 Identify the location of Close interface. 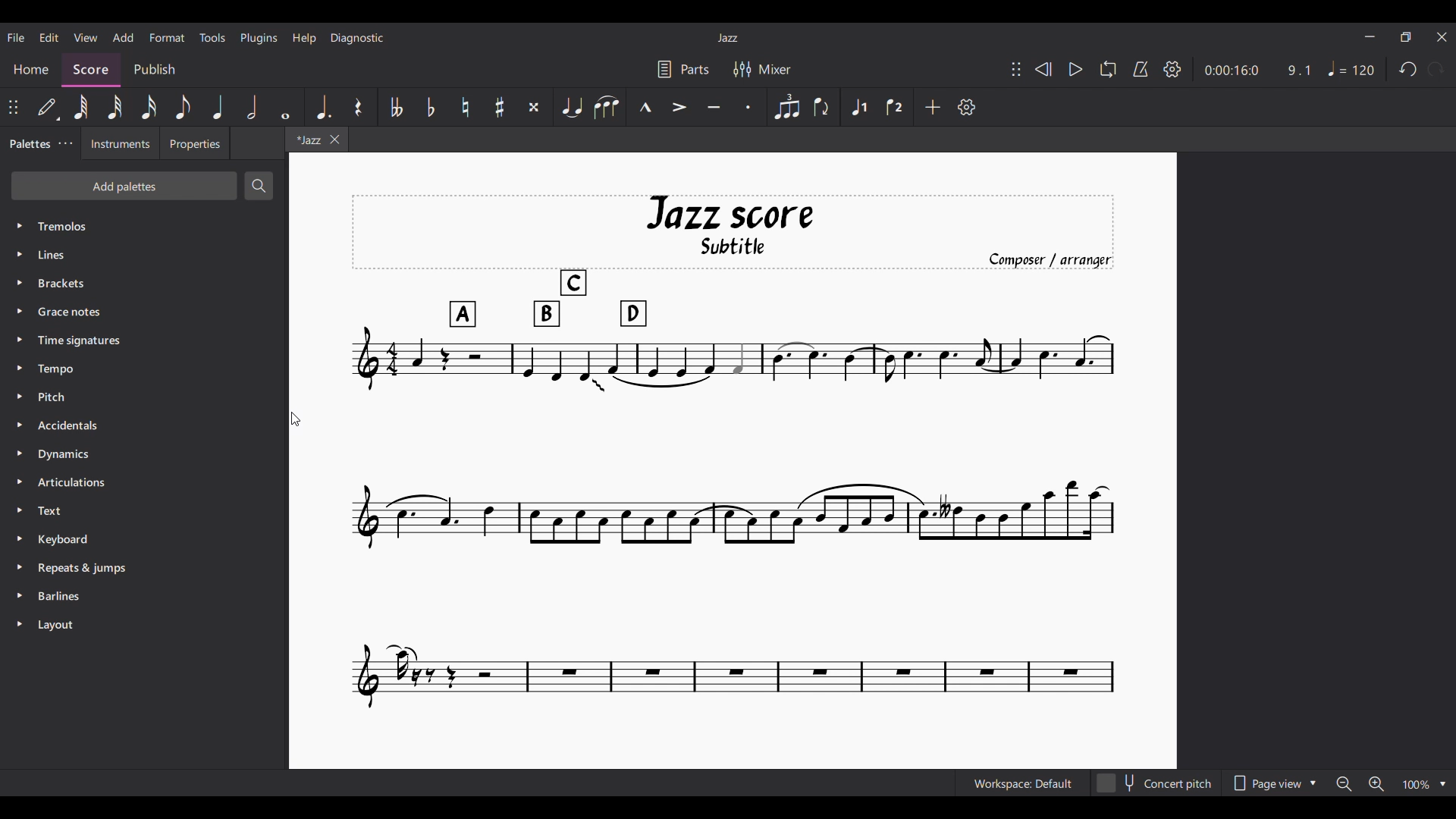
(1442, 36).